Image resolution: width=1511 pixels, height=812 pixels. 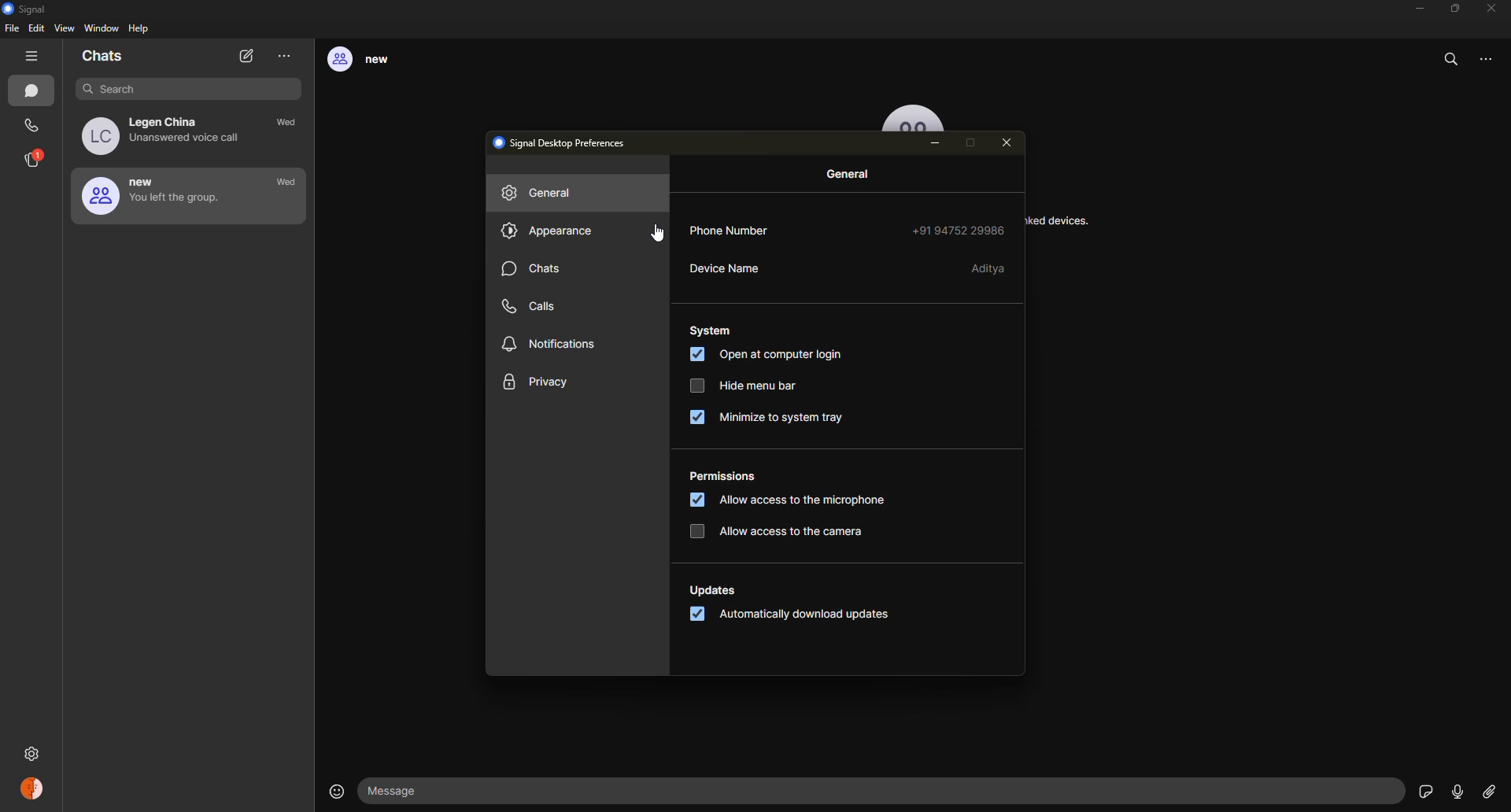 I want to click on hide menu bar, so click(x=738, y=386).